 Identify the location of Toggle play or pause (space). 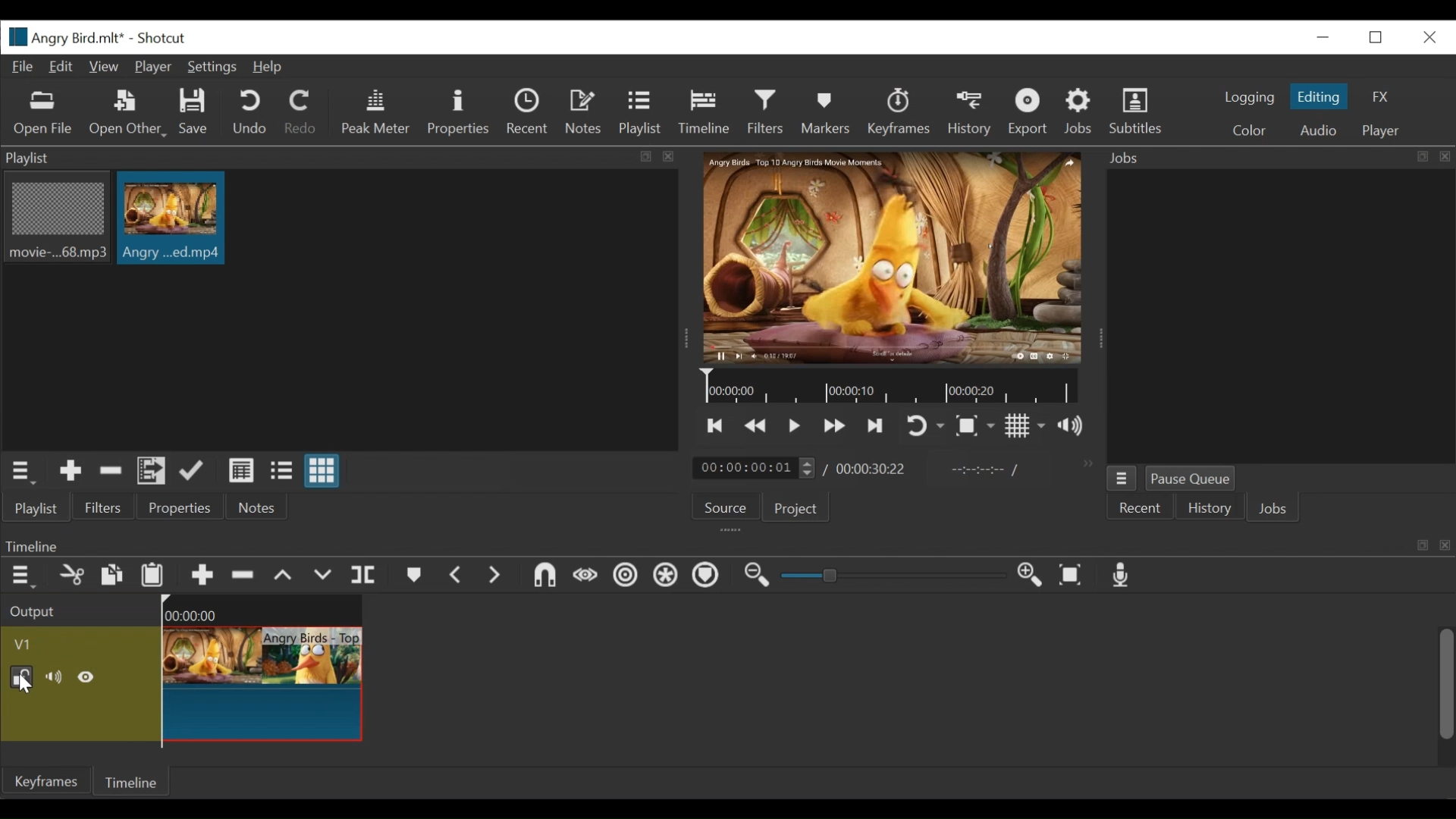
(794, 426).